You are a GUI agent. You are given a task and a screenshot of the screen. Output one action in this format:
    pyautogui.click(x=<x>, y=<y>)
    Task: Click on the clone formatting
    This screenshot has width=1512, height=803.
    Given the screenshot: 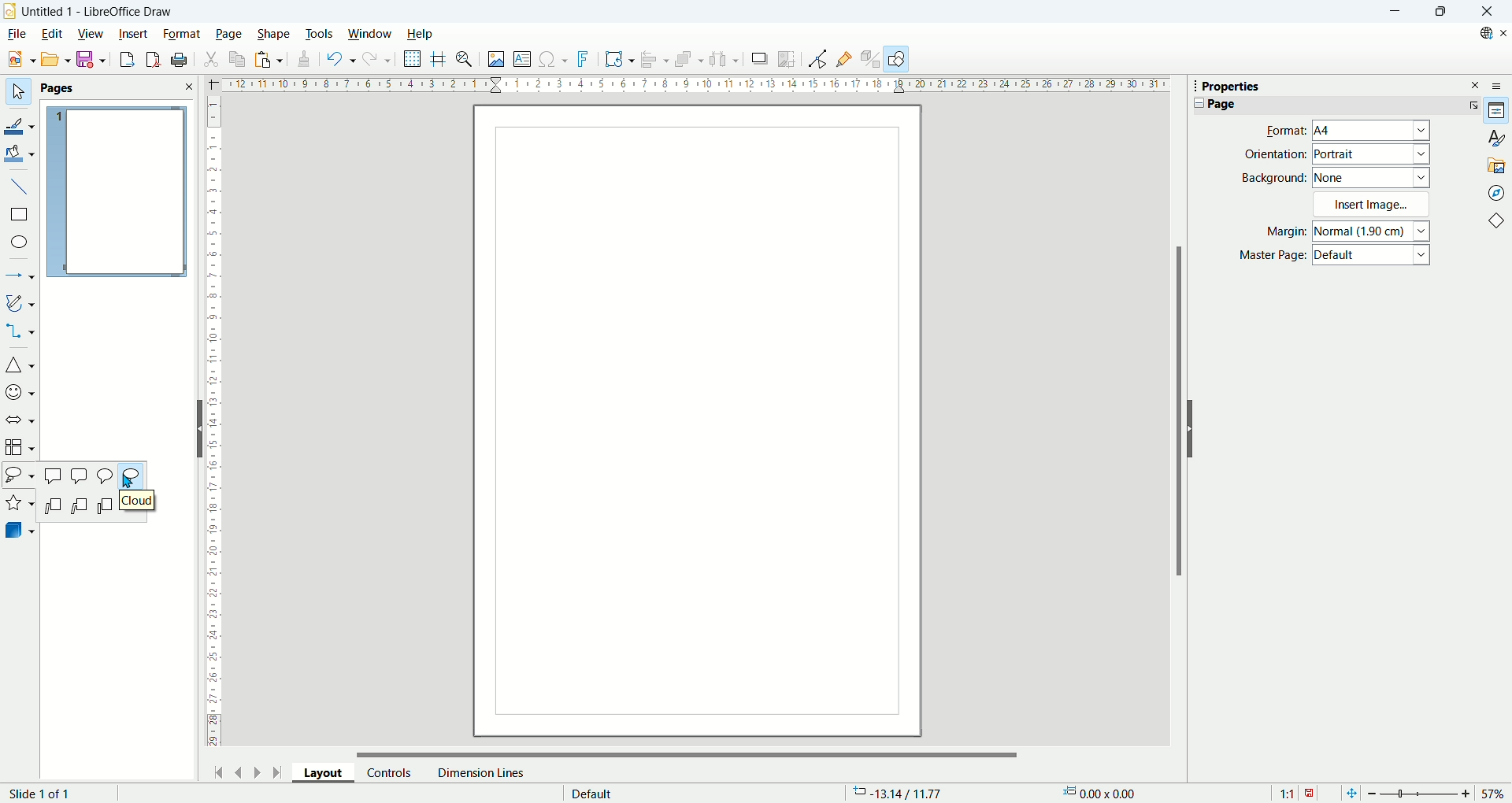 What is the action you would take?
    pyautogui.click(x=302, y=60)
    